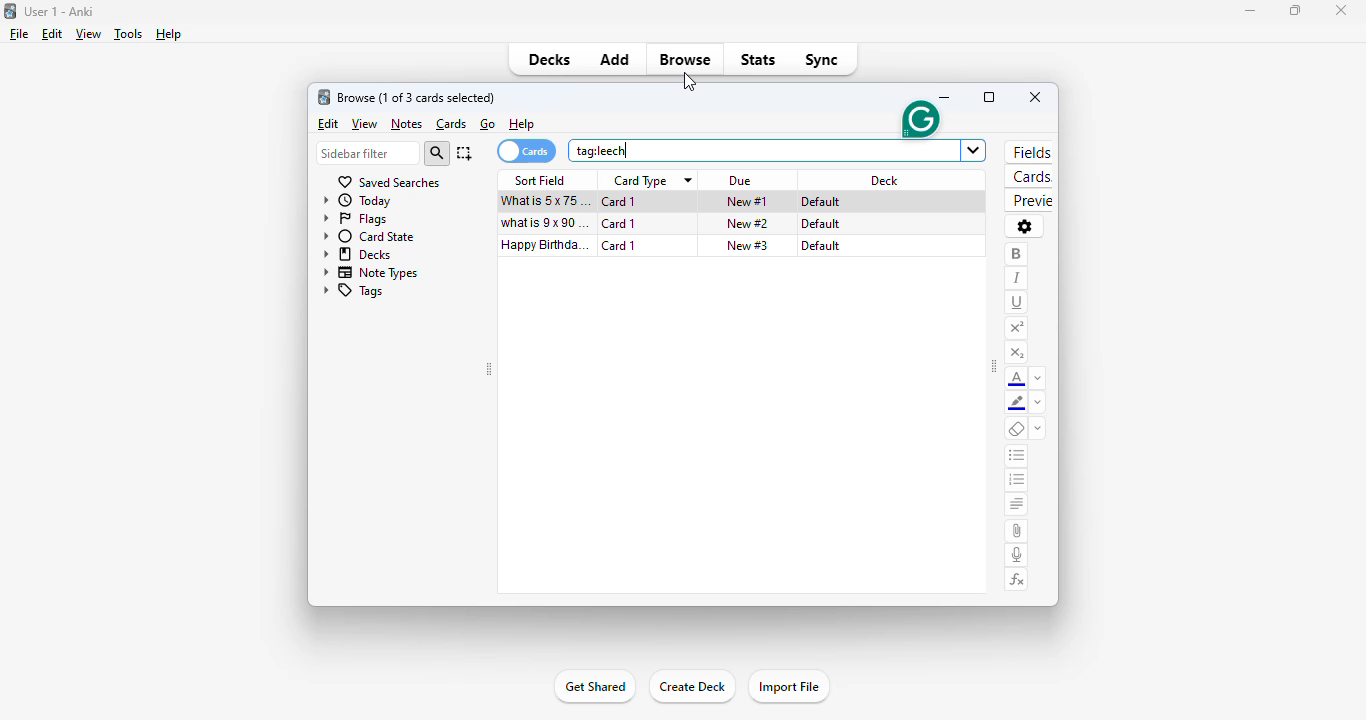 Image resolution: width=1366 pixels, height=720 pixels. I want to click on close, so click(1345, 11).